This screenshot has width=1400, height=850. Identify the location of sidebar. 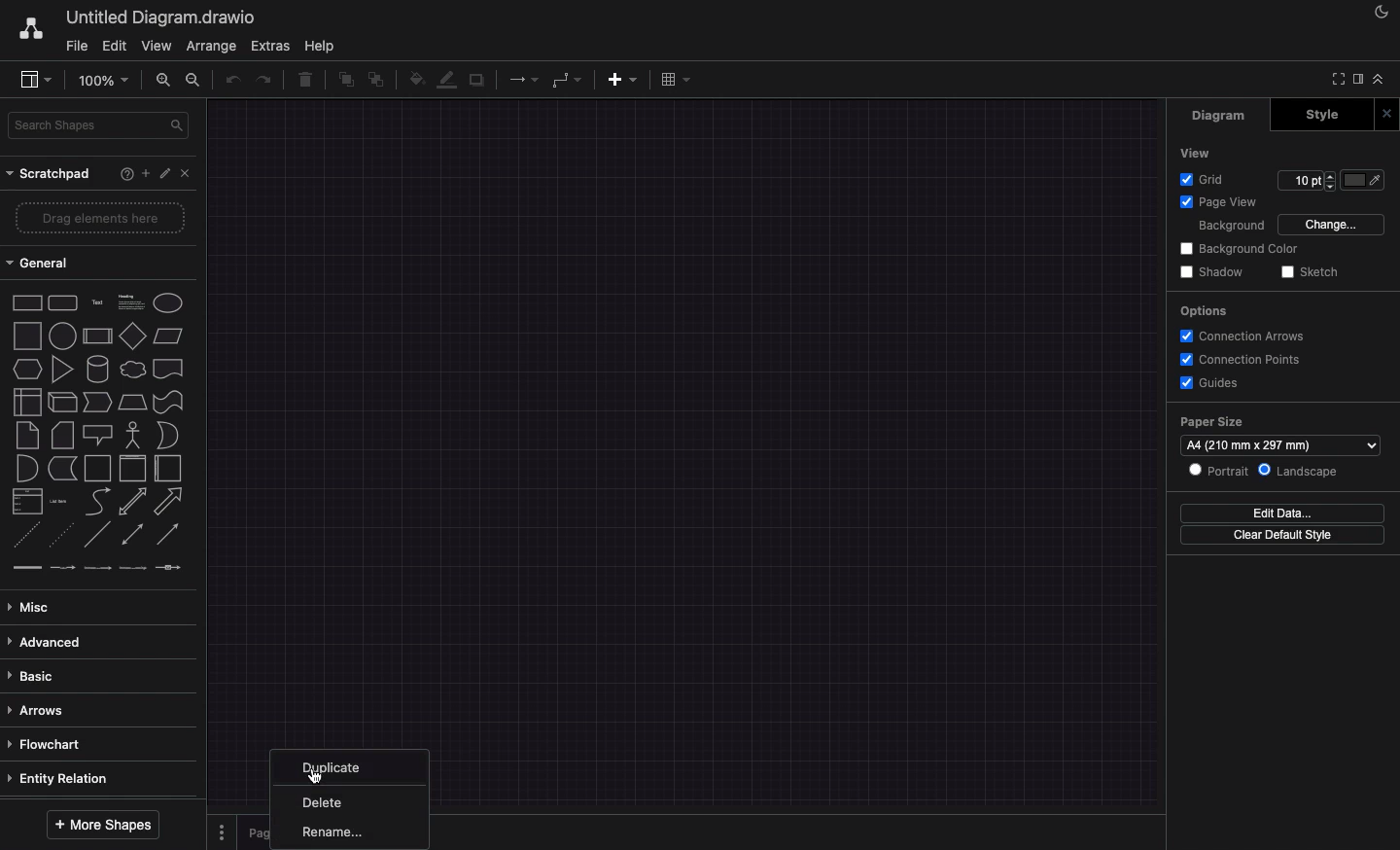
(35, 81).